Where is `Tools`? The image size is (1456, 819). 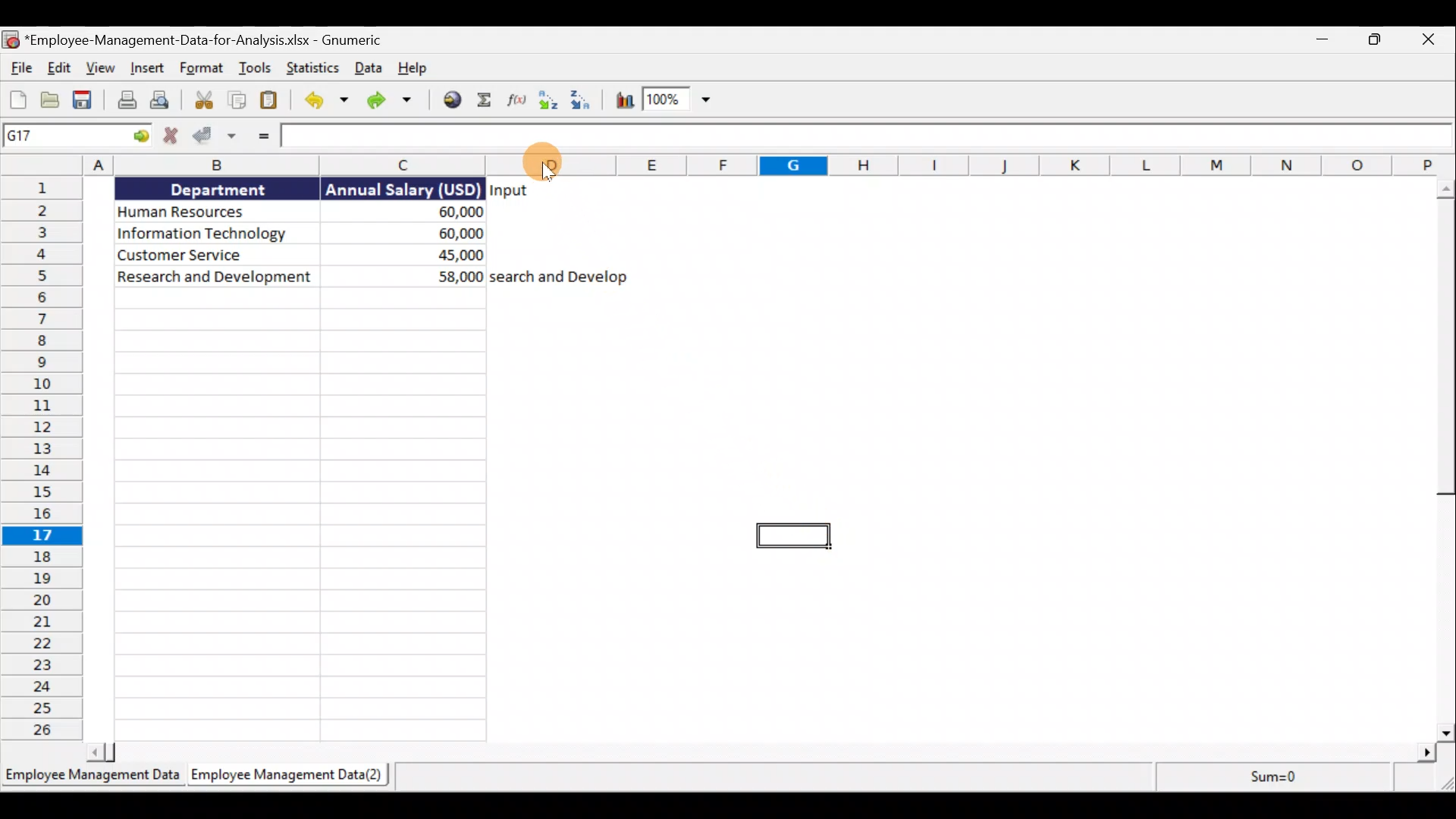
Tools is located at coordinates (257, 66).